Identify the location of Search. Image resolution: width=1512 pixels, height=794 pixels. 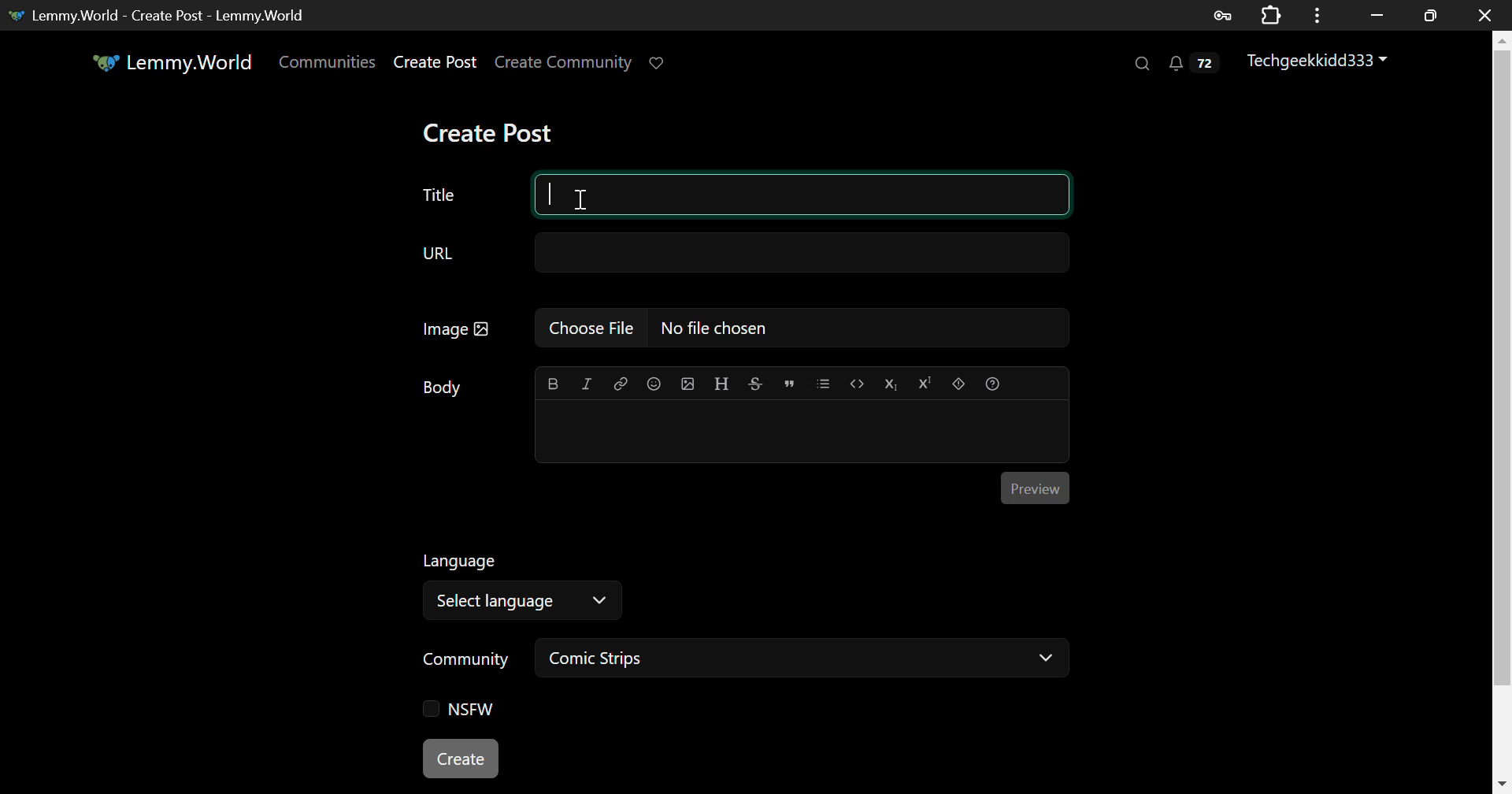
(1140, 64).